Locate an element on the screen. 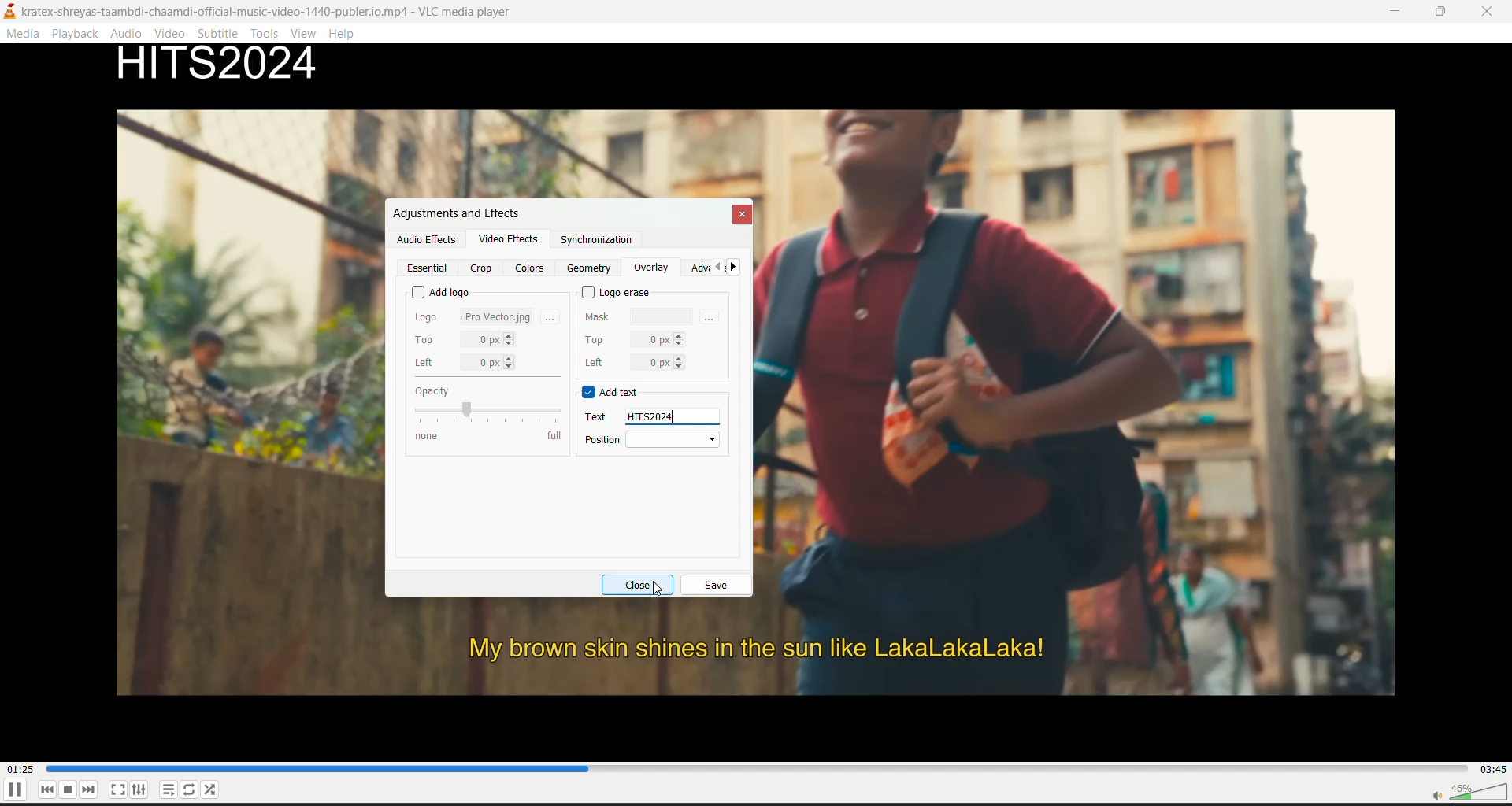 This screenshot has width=1512, height=806. overlay is located at coordinates (651, 268).